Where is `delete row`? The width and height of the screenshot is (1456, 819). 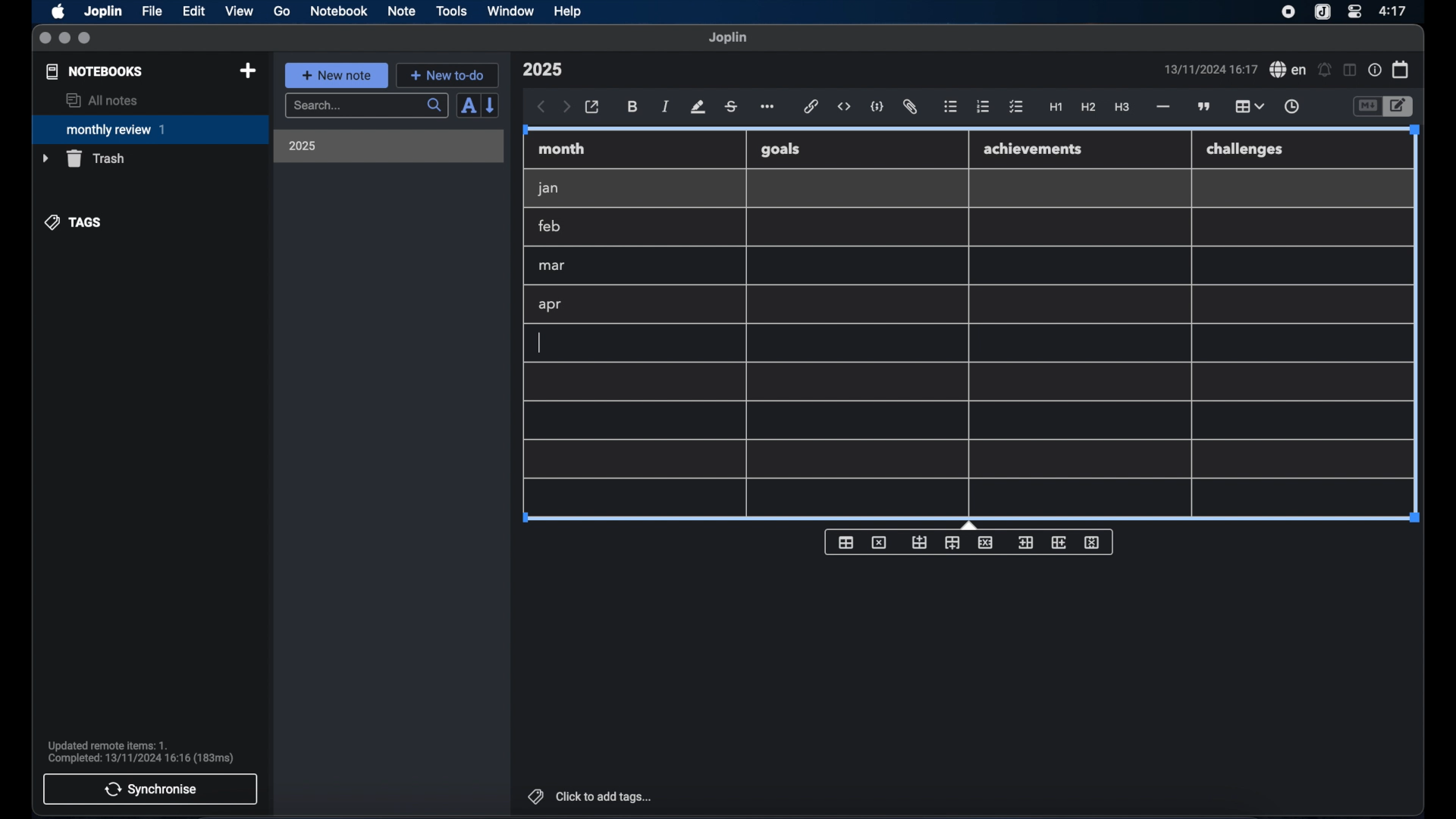 delete row is located at coordinates (987, 541).